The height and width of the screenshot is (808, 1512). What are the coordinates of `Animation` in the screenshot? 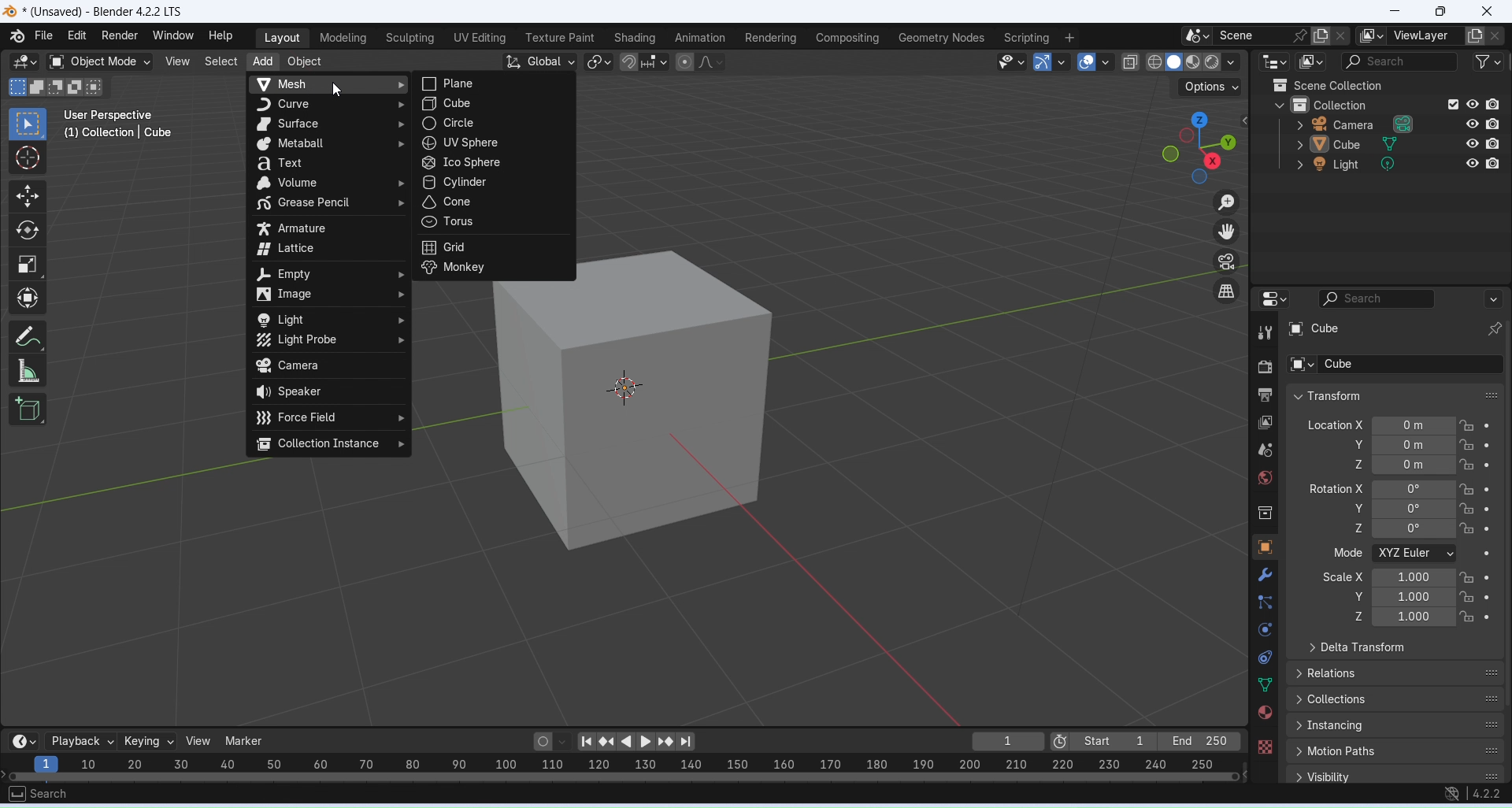 It's located at (699, 38).